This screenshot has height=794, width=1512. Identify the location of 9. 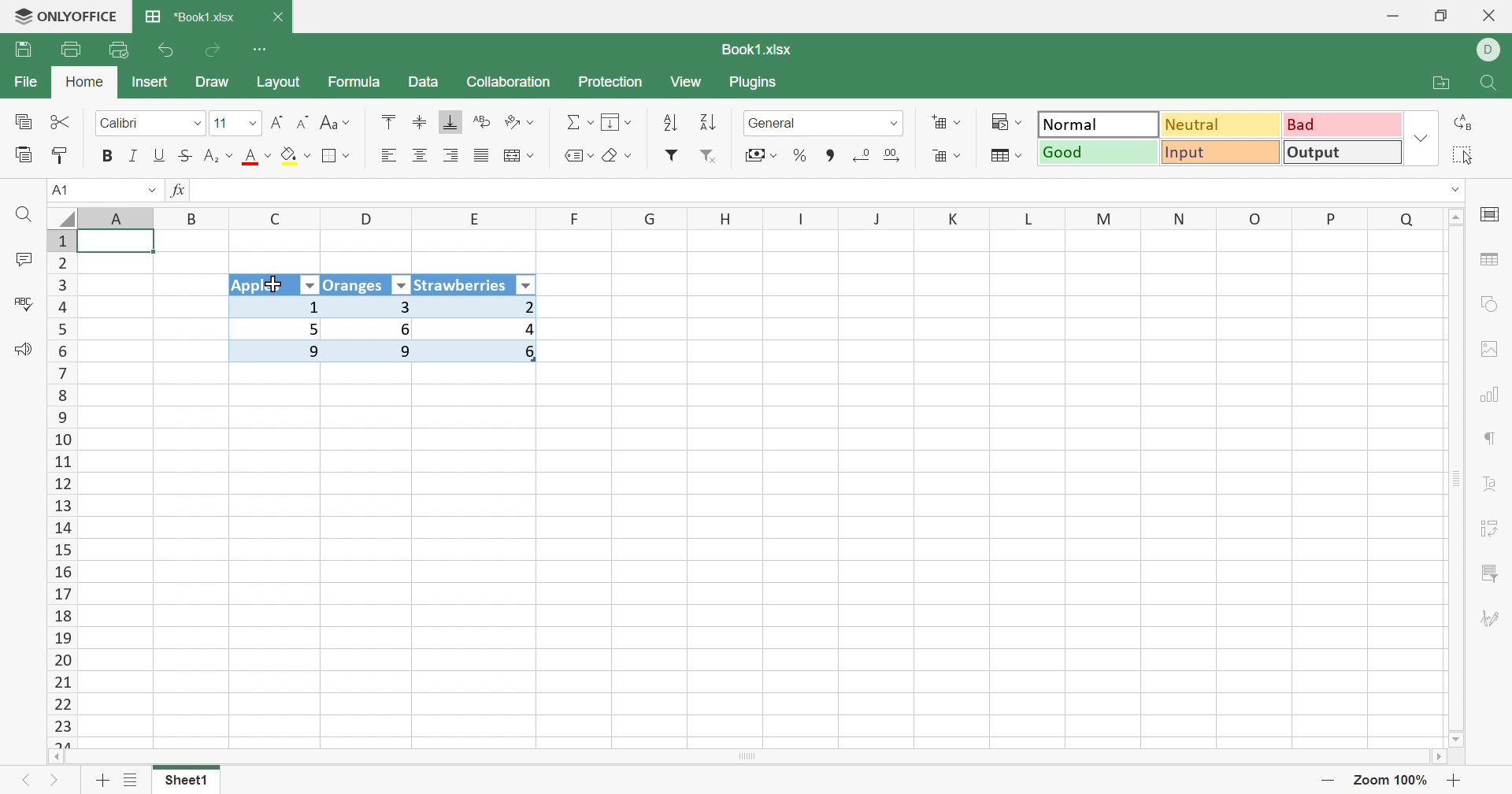
(279, 354).